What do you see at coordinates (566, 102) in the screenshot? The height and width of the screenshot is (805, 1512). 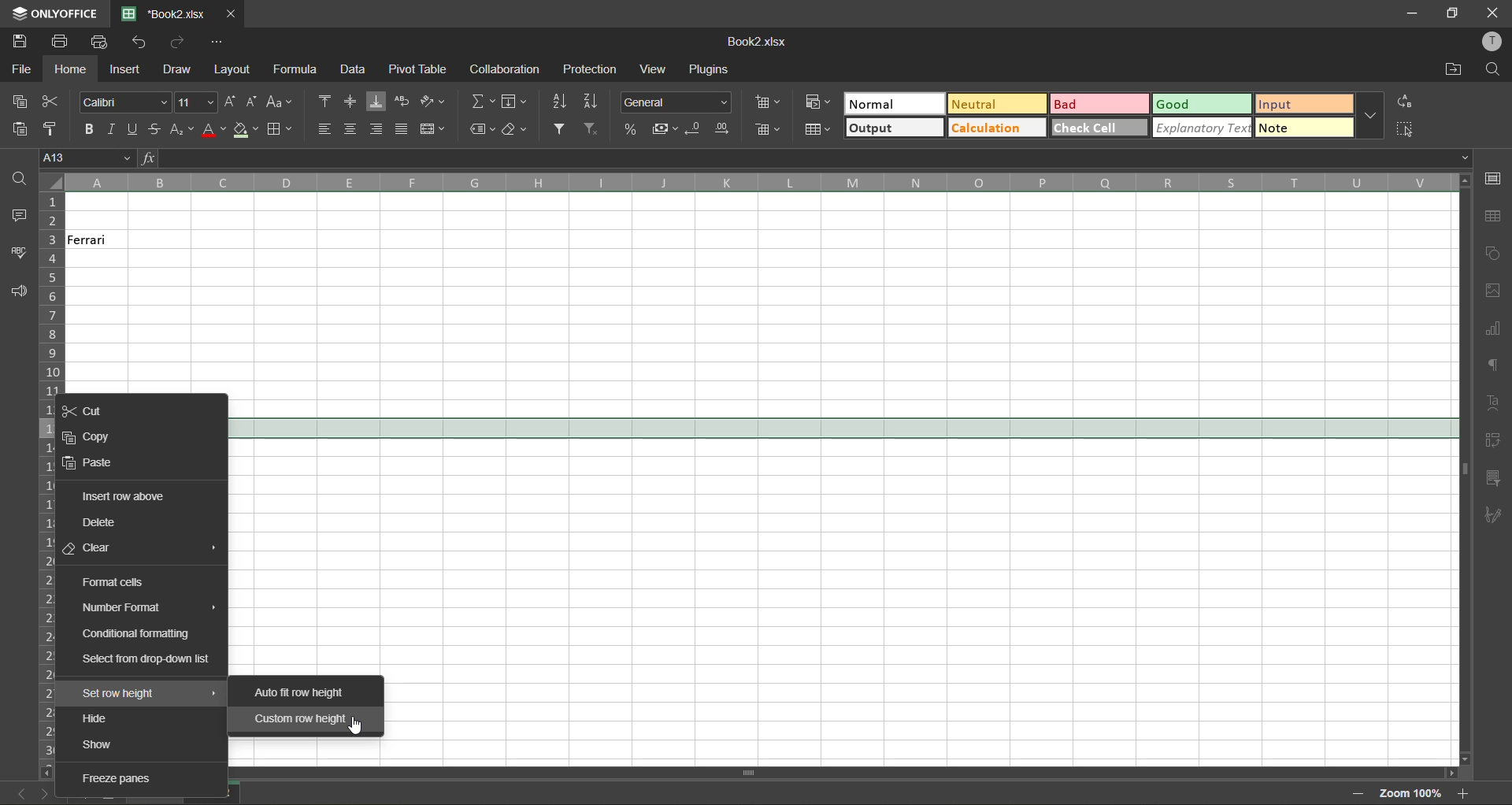 I see `sort ascending` at bounding box center [566, 102].